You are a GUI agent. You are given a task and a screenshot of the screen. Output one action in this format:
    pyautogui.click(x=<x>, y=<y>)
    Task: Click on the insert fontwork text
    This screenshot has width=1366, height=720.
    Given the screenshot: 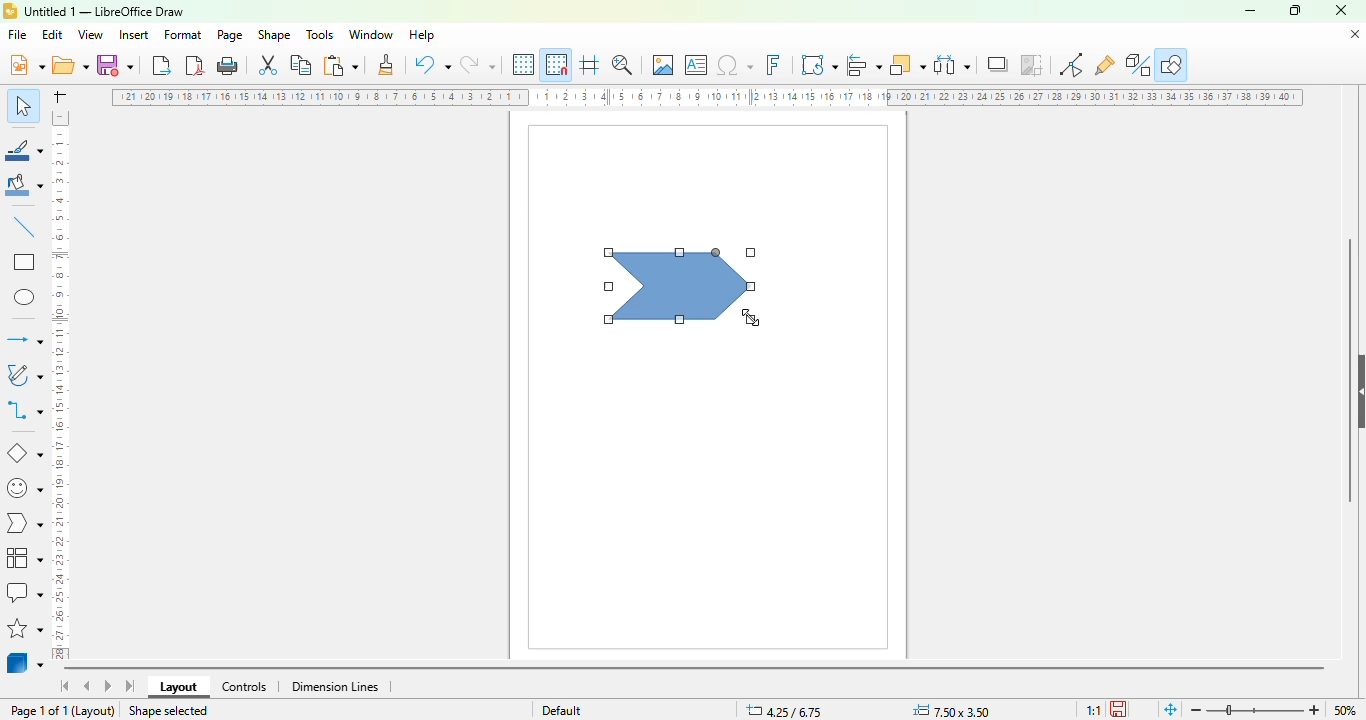 What is the action you would take?
    pyautogui.click(x=773, y=64)
    